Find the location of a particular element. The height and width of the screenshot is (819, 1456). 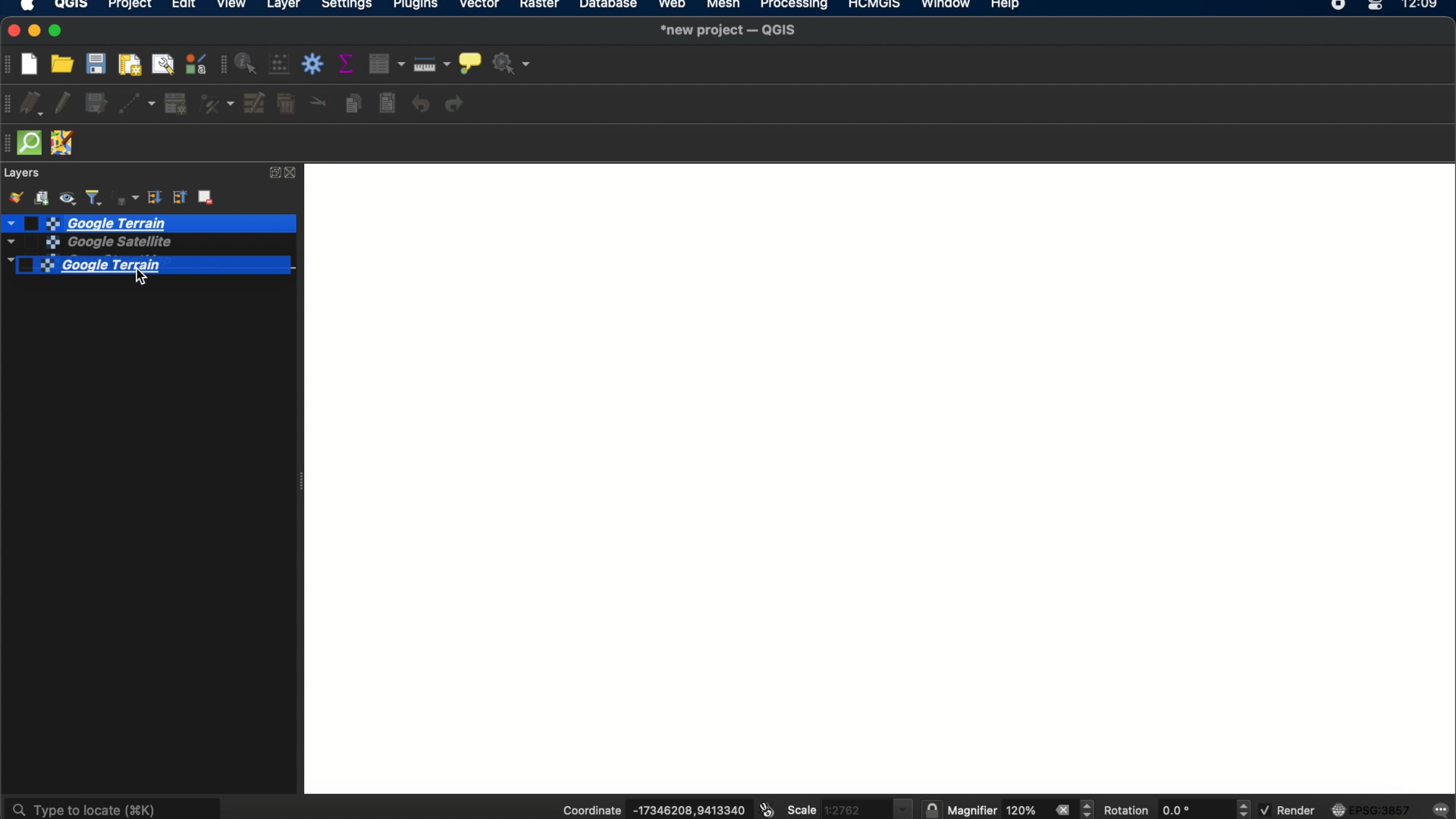

type to locate is located at coordinates (115, 806).